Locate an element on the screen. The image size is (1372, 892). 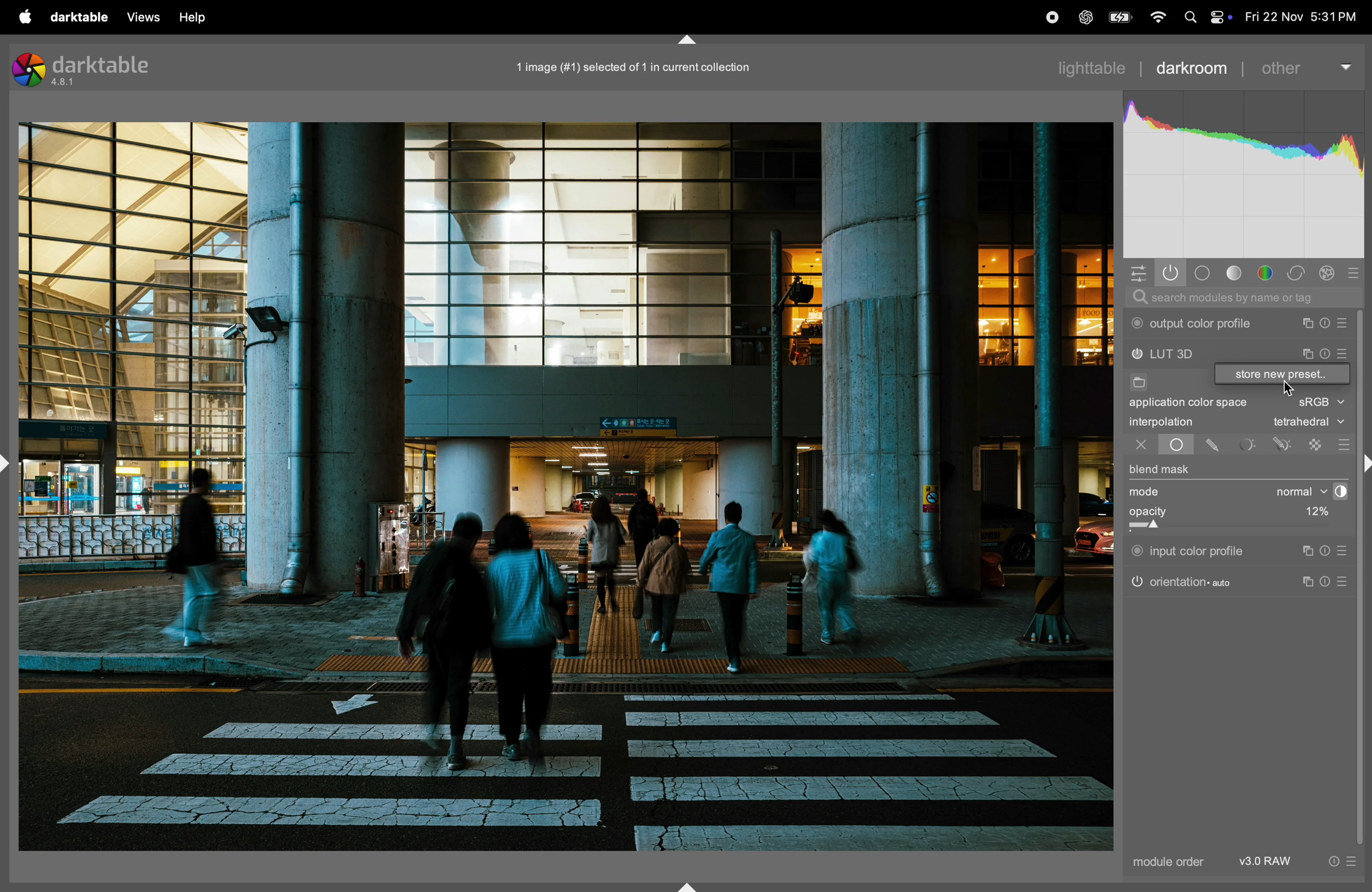
reset parameters is located at coordinates (1325, 352).